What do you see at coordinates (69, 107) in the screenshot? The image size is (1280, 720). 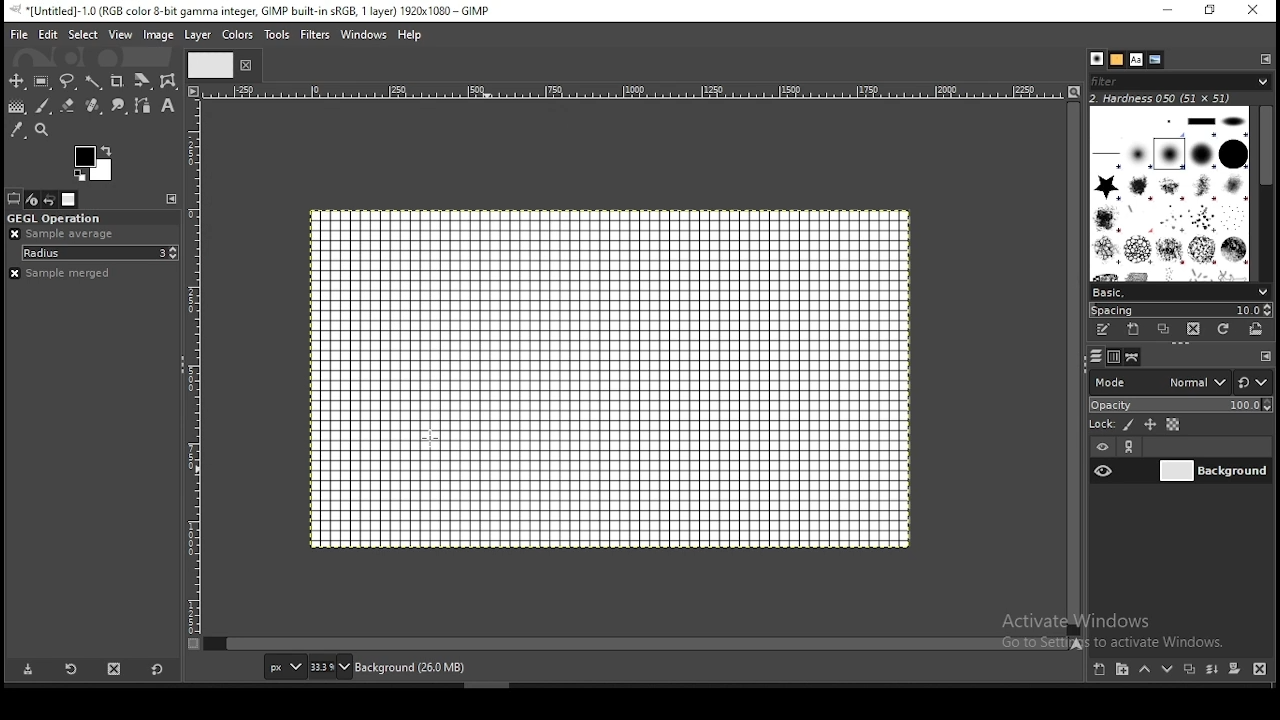 I see `eraser tool` at bounding box center [69, 107].